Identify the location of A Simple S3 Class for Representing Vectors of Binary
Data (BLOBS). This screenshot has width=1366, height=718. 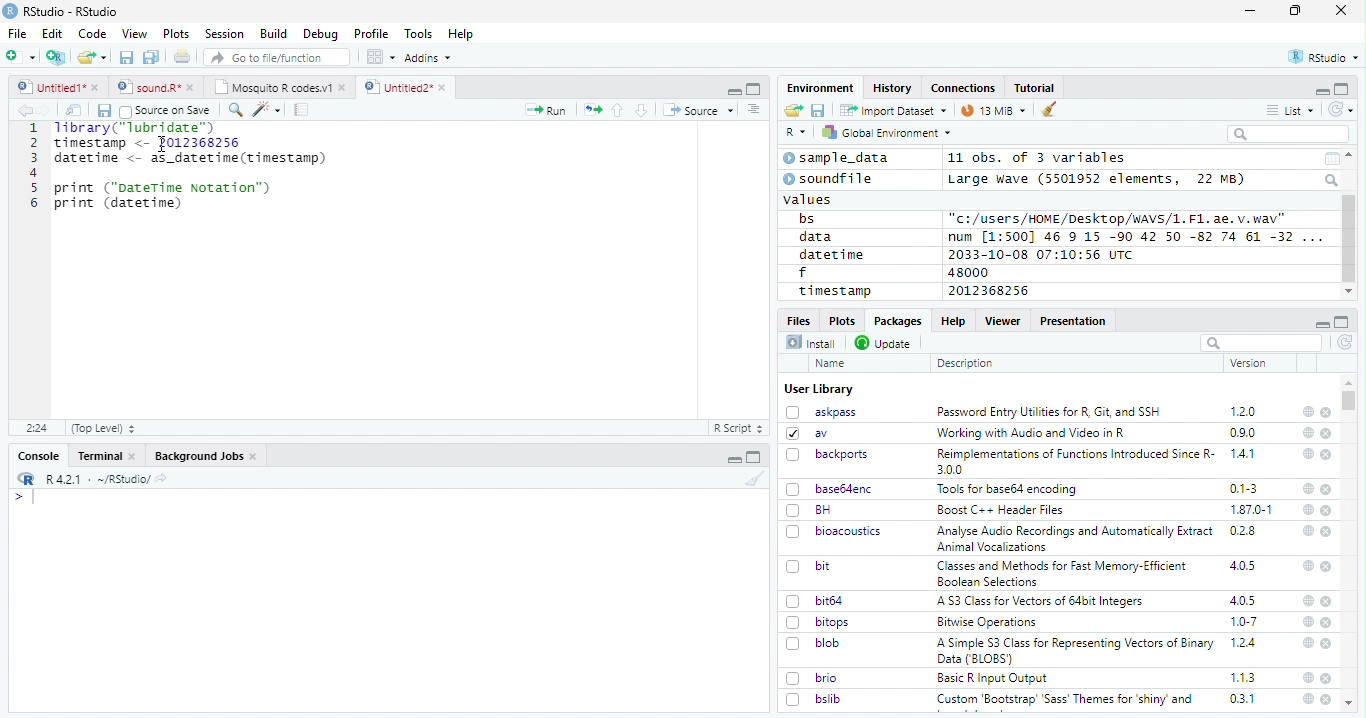
(1077, 650).